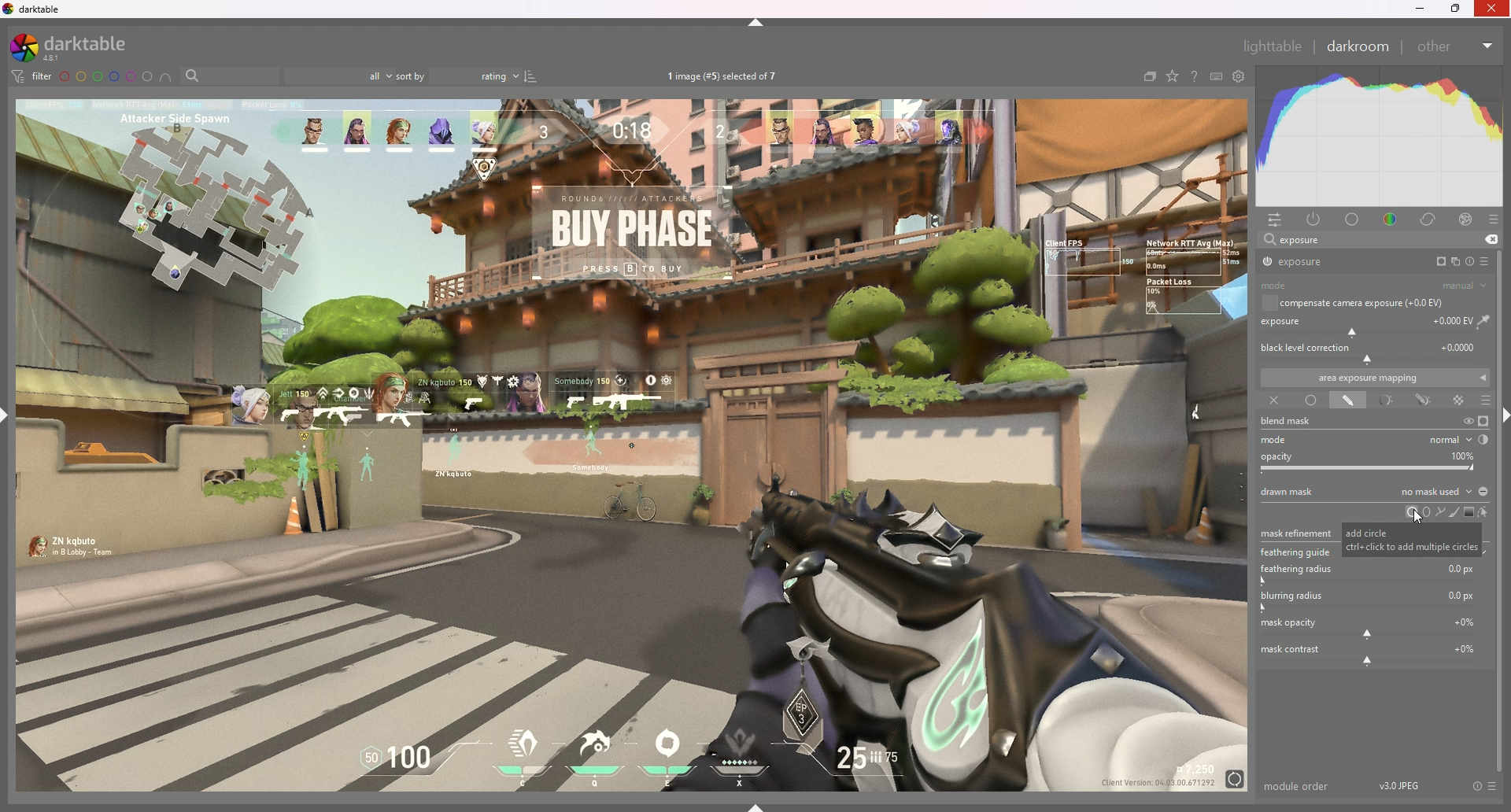 This screenshot has width=1511, height=812. What do you see at coordinates (531, 76) in the screenshot?
I see `reverse sort` at bounding box center [531, 76].